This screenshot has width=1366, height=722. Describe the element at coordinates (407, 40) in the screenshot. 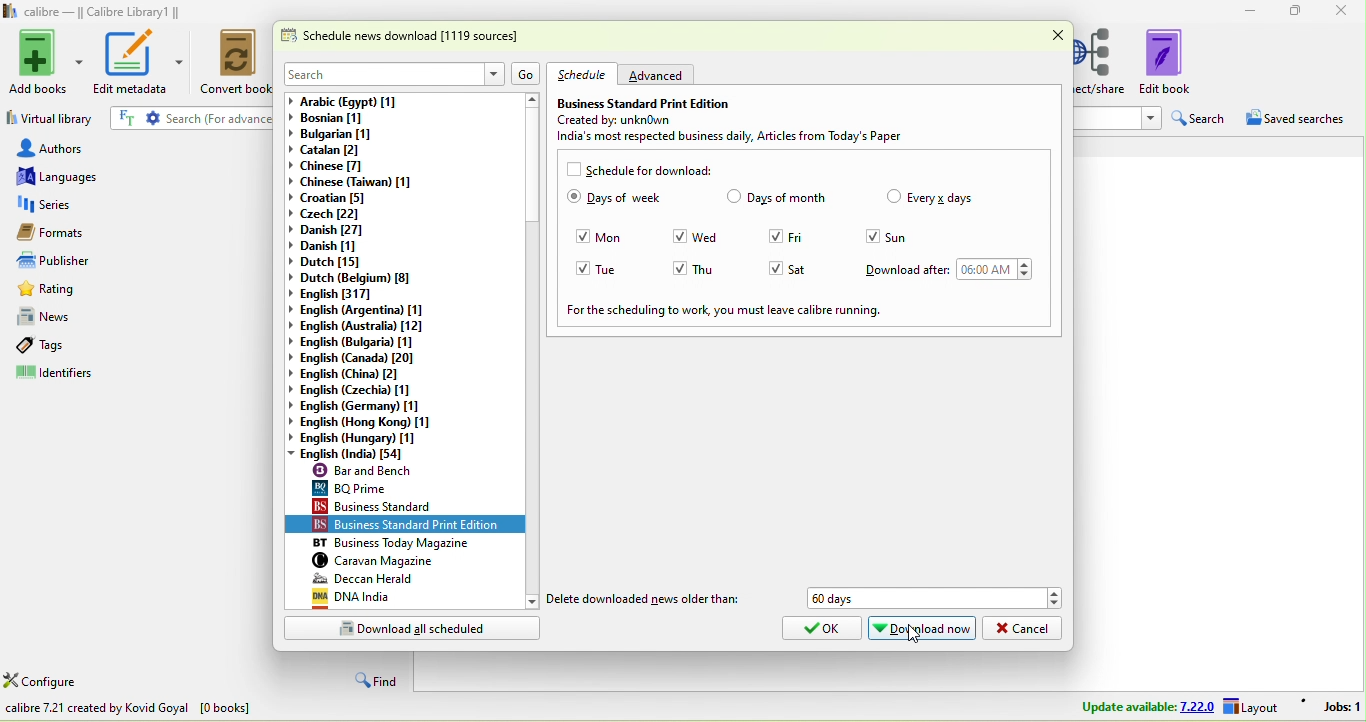

I see `schedule news download [1119 sources]` at that location.